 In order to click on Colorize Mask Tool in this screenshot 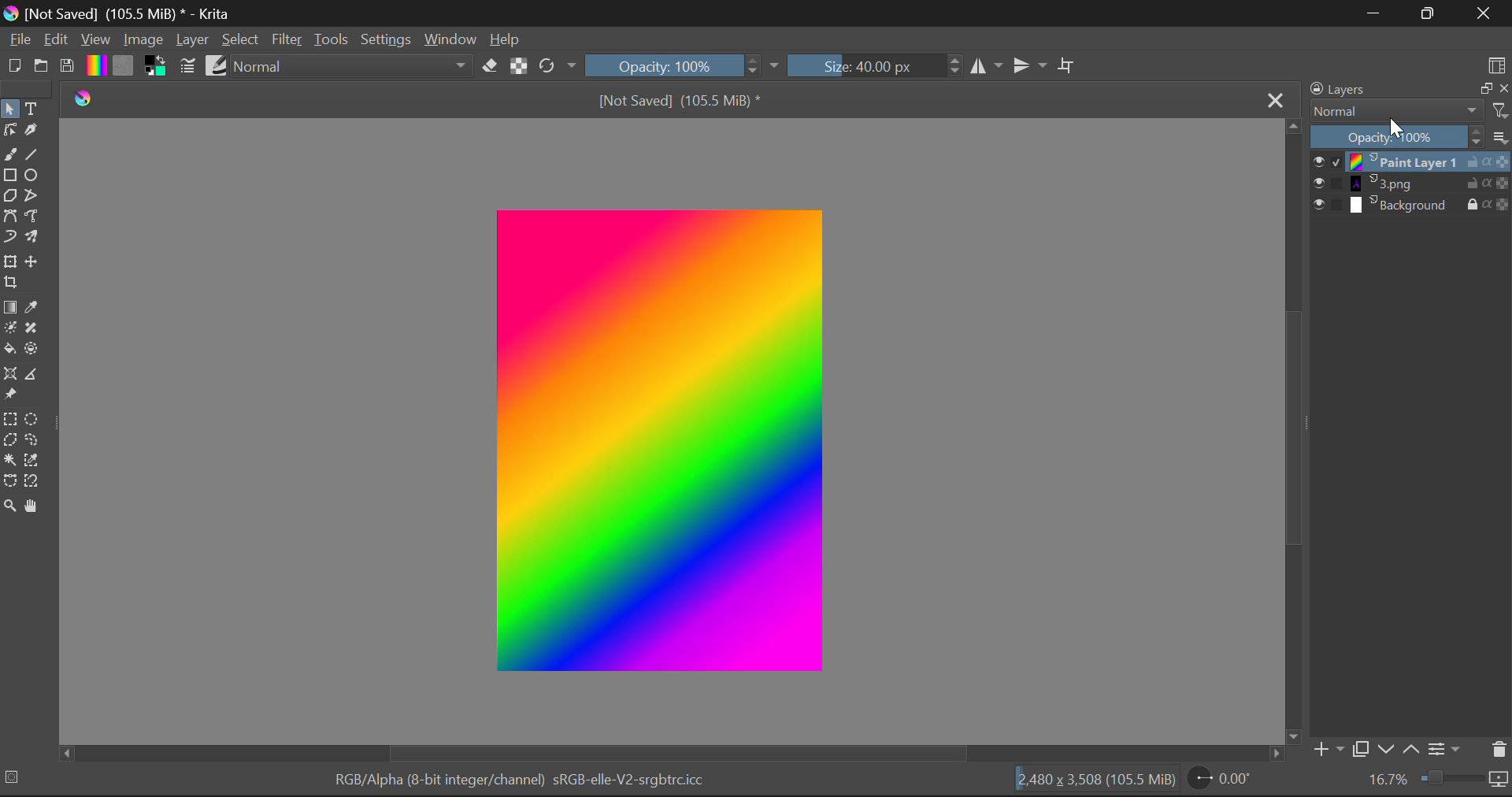, I will do `click(9, 330)`.